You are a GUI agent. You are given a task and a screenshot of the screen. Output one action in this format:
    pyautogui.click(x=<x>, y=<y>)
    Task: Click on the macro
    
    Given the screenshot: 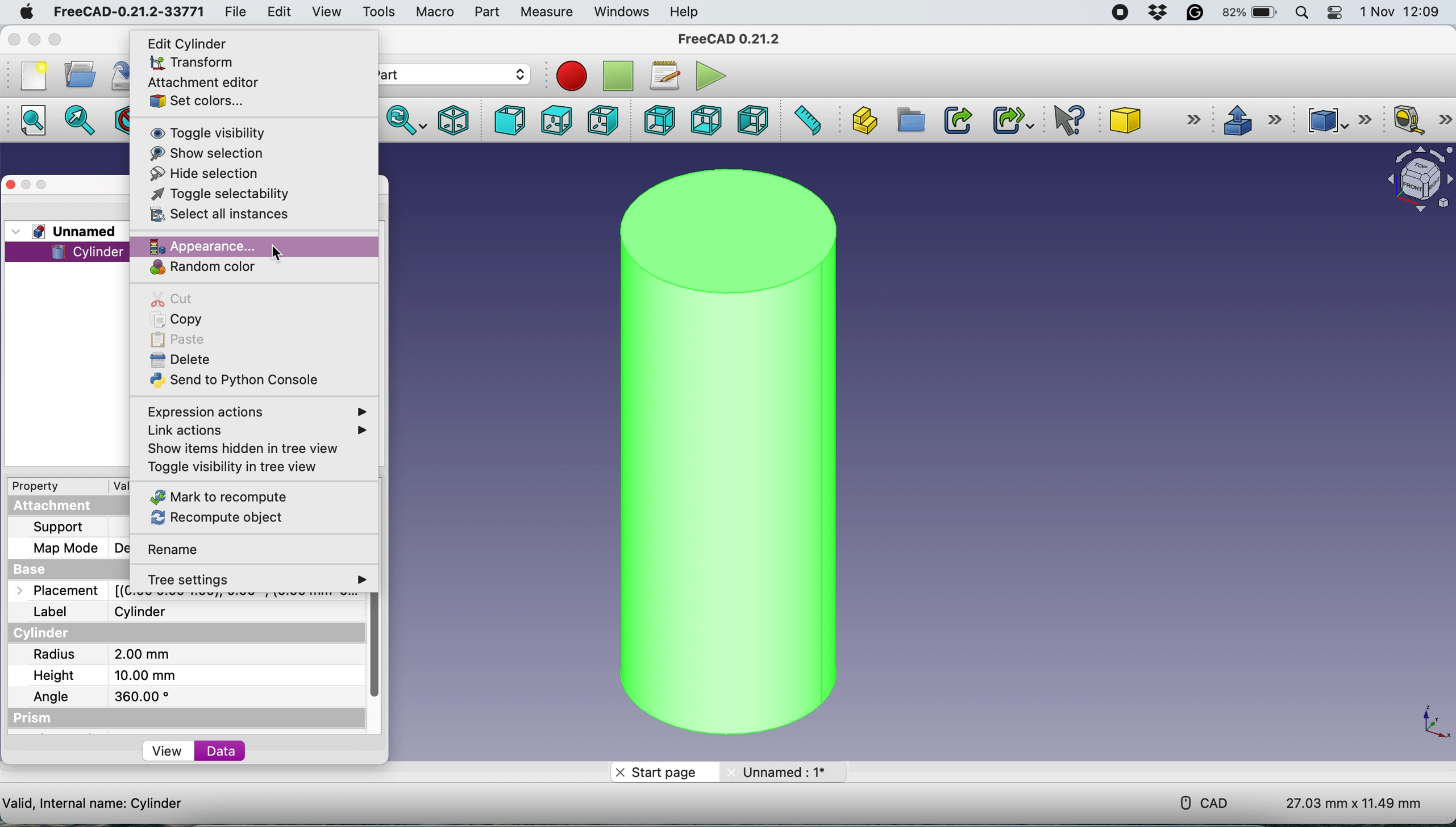 What is the action you would take?
    pyautogui.click(x=438, y=13)
    